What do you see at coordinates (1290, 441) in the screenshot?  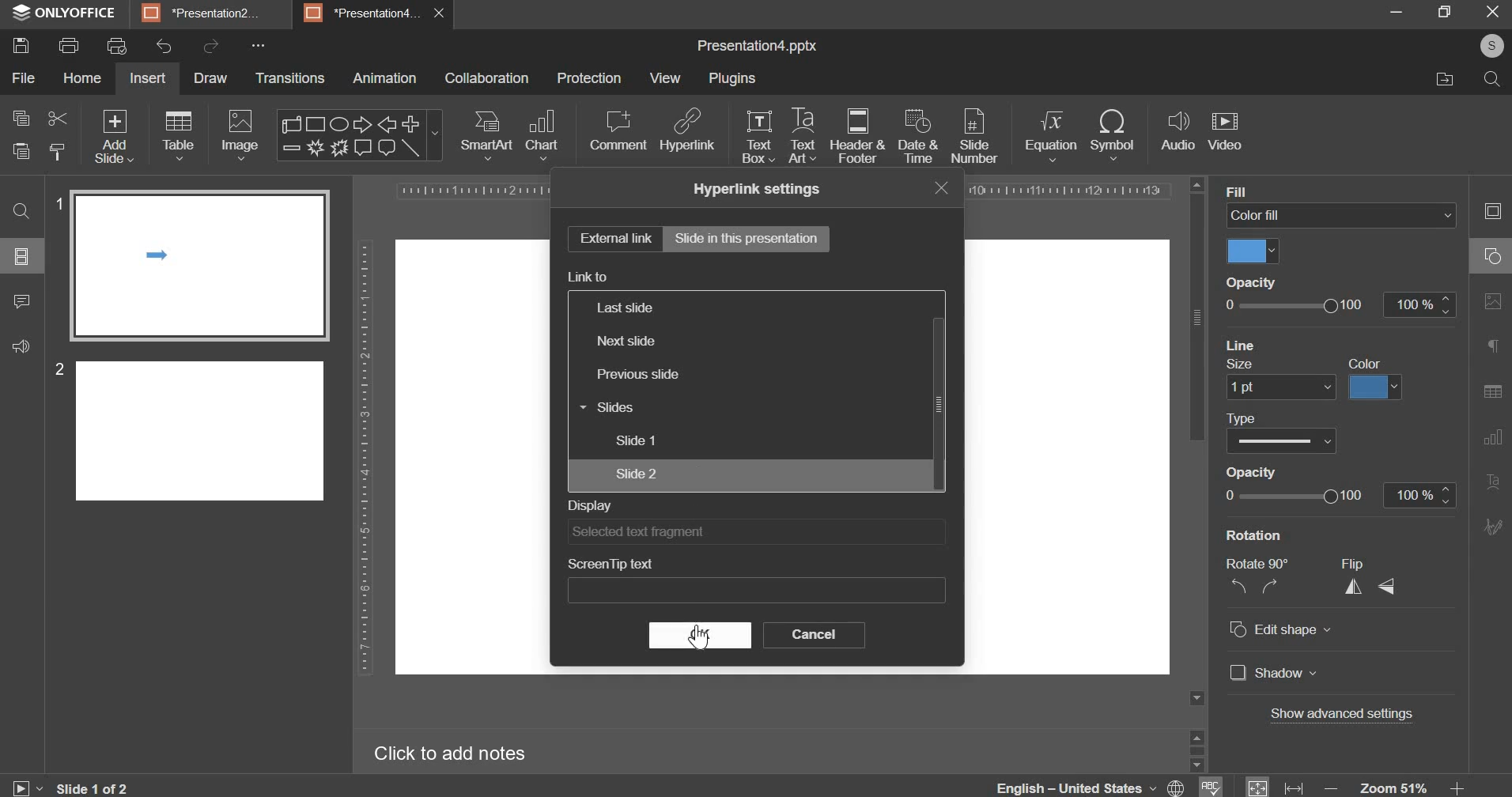 I see `CO Show Date and` at bounding box center [1290, 441].